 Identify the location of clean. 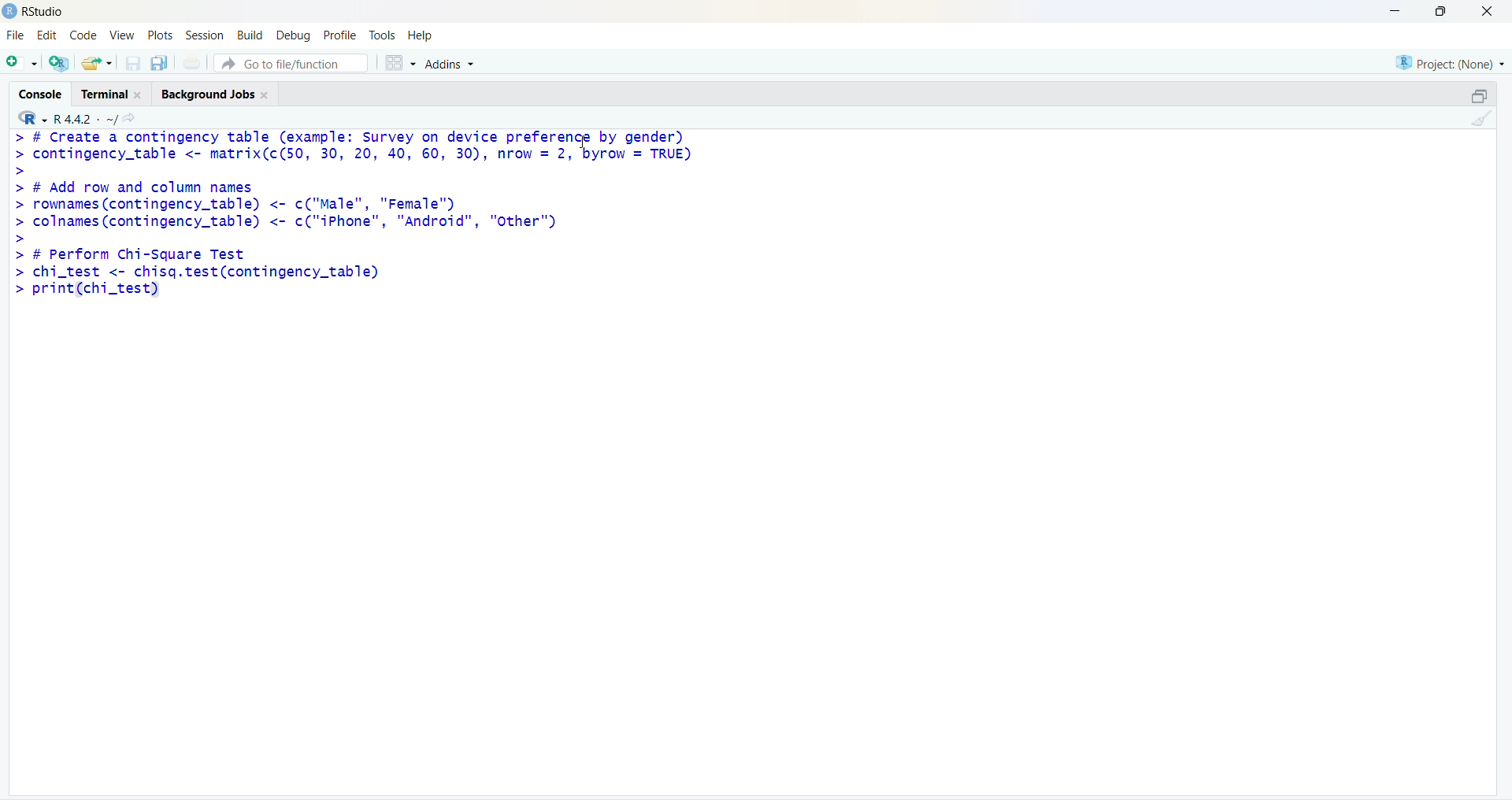
(1484, 118).